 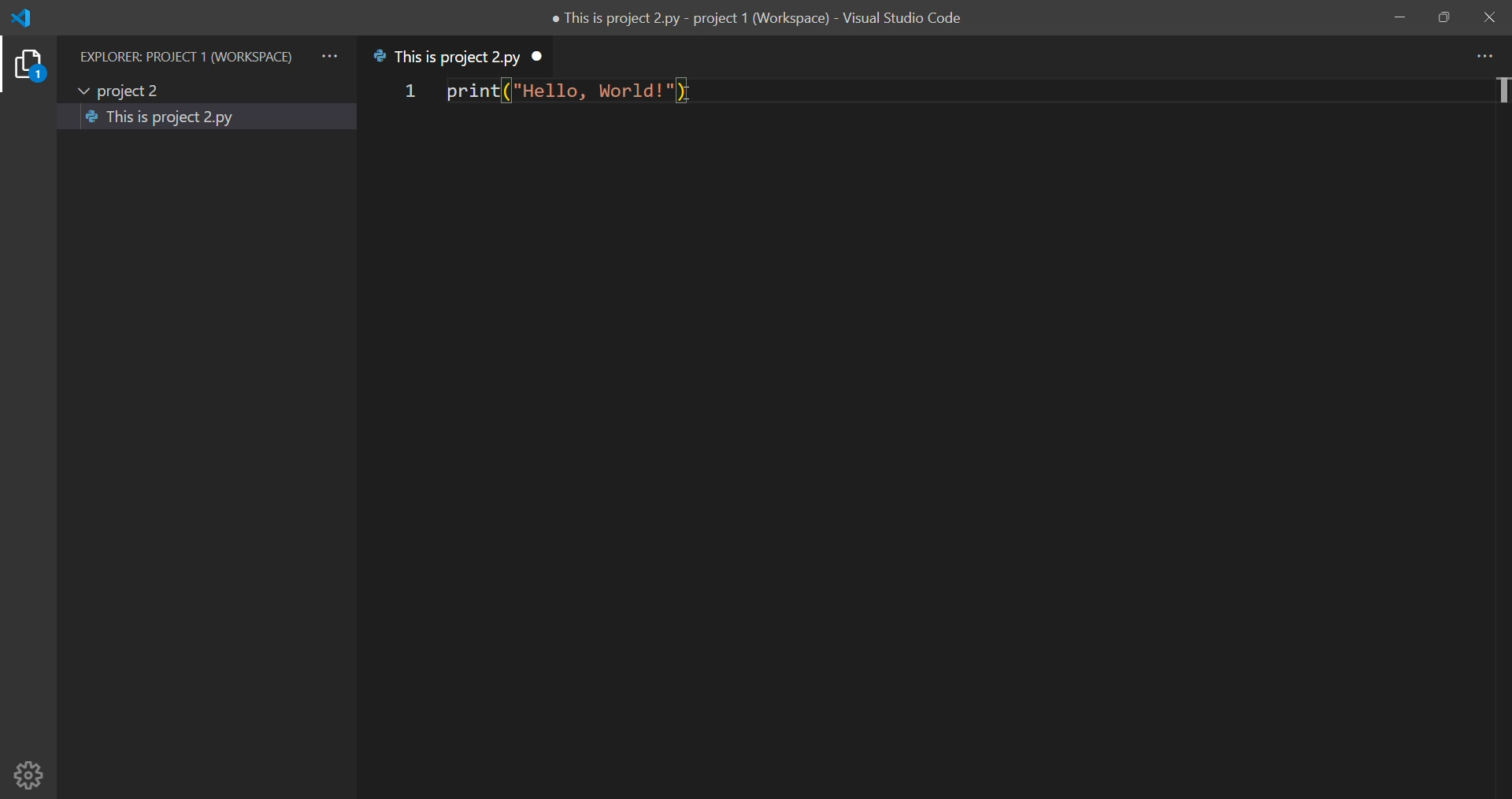 What do you see at coordinates (169, 120) in the screenshot?
I see `This is project 2.py` at bounding box center [169, 120].